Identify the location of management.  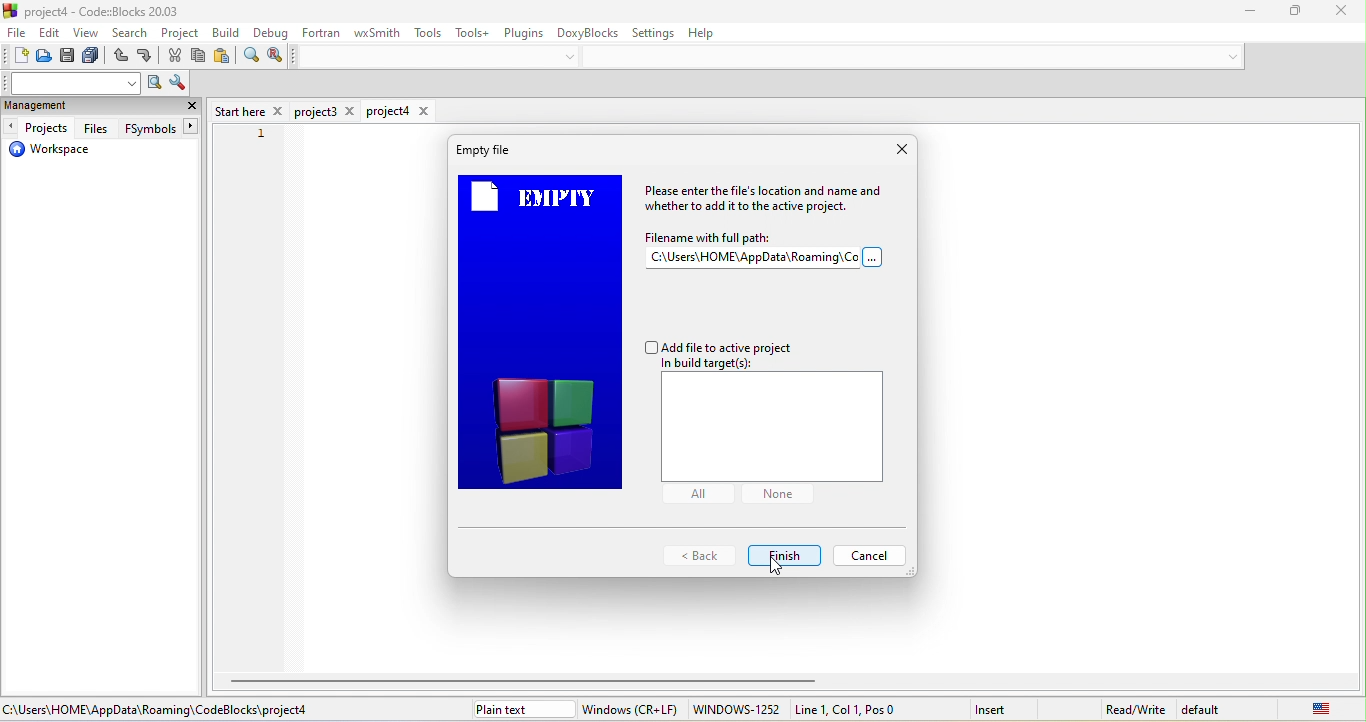
(61, 107).